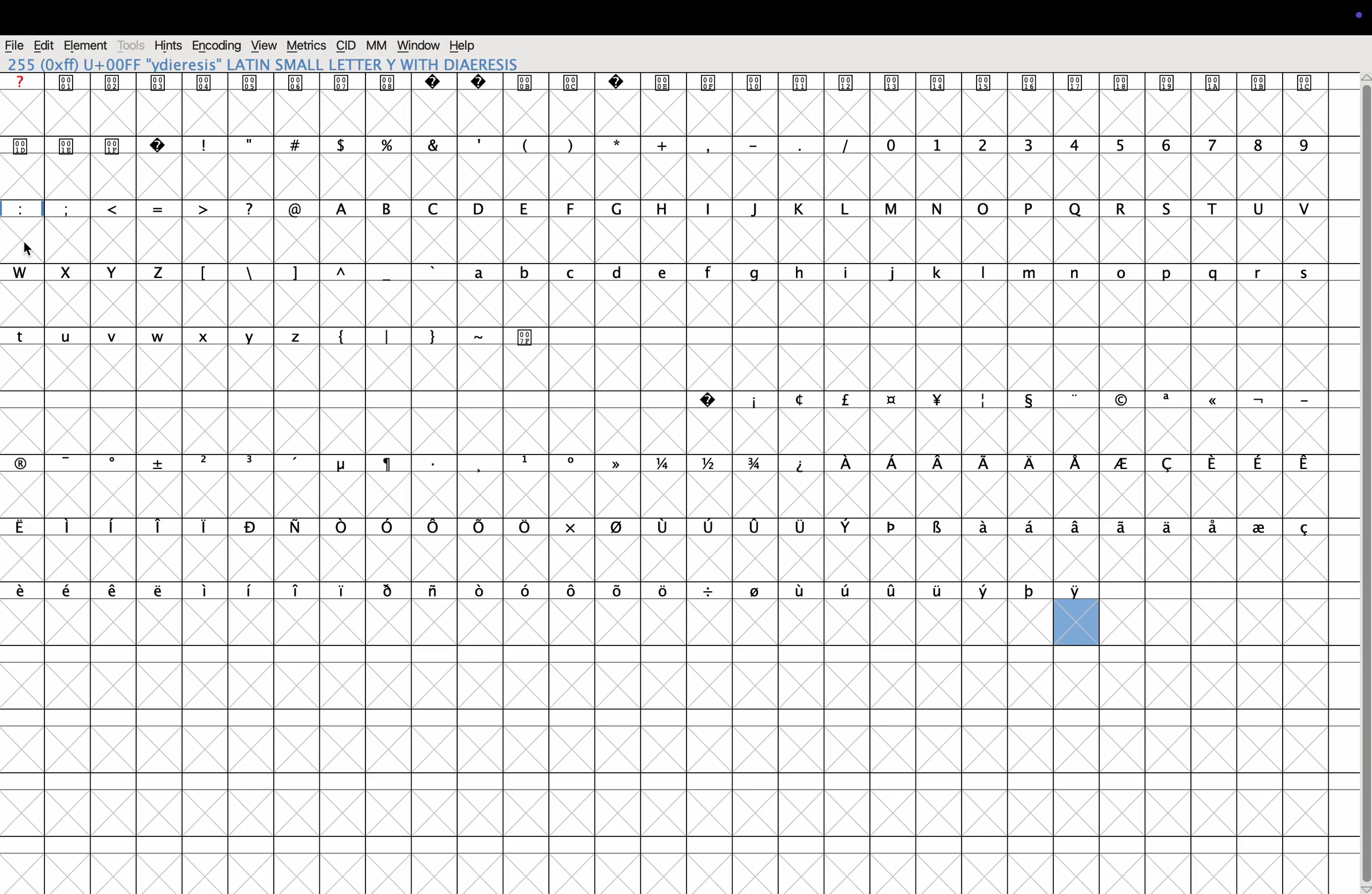 The width and height of the screenshot is (1372, 894). What do you see at coordinates (578, 298) in the screenshot?
I see `c` at bounding box center [578, 298].